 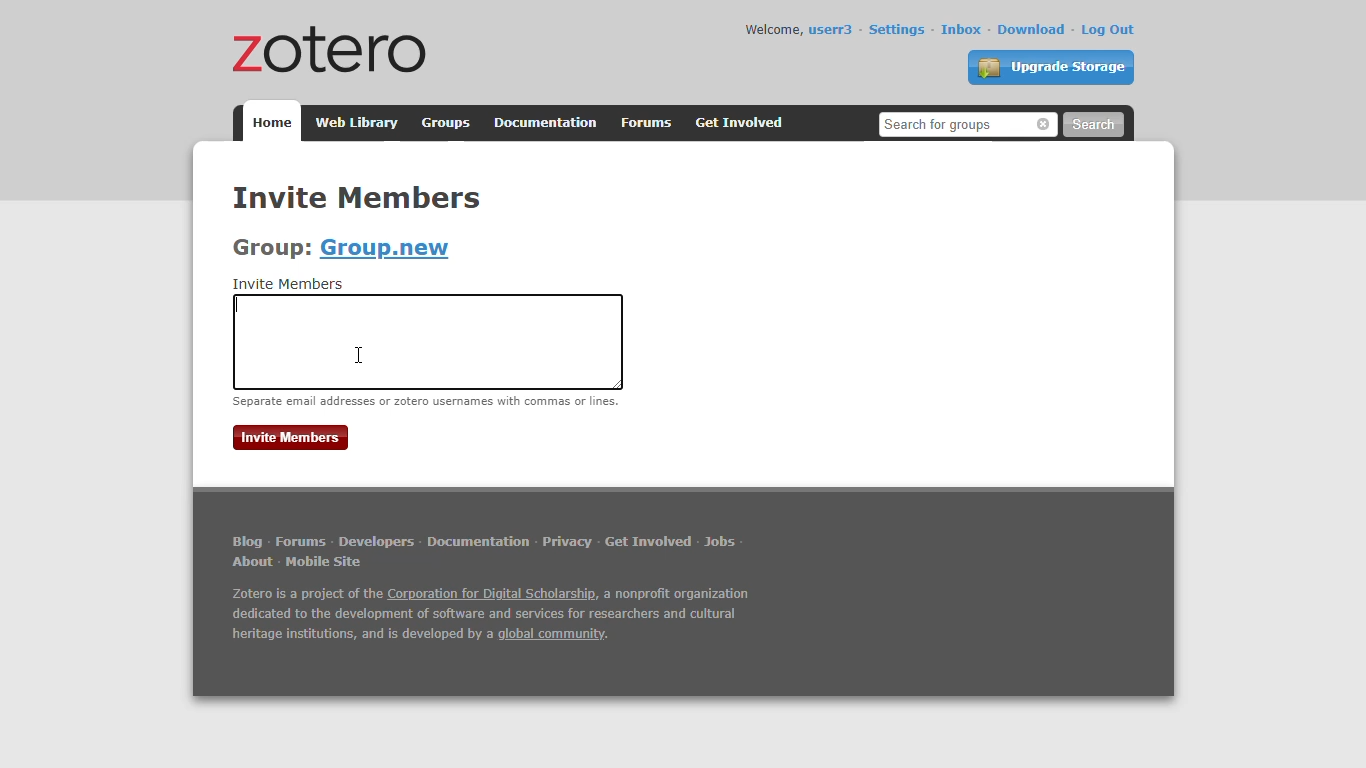 I want to click on invite members, so click(x=290, y=284).